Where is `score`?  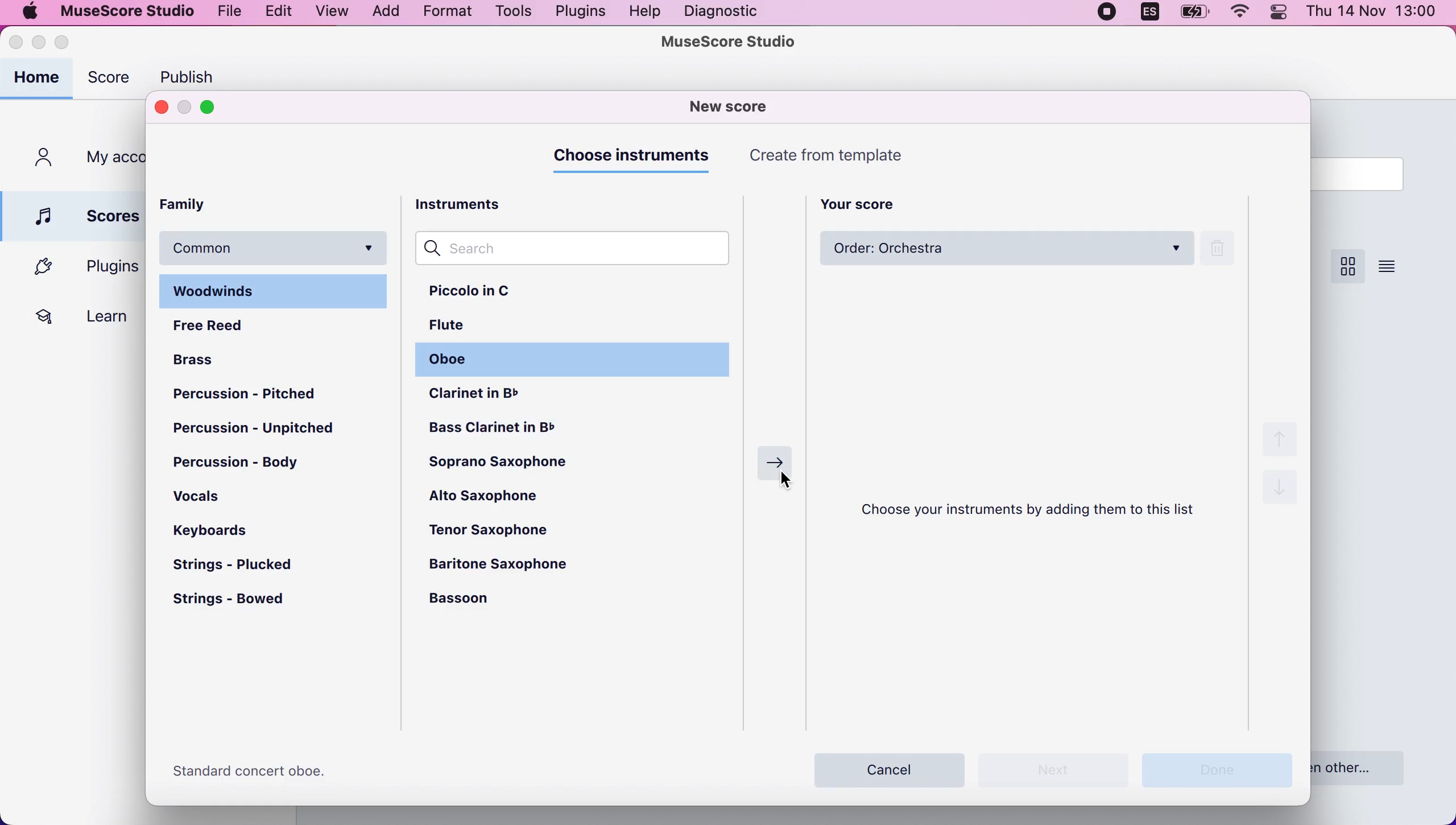 score is located at coordinates (112, 81).